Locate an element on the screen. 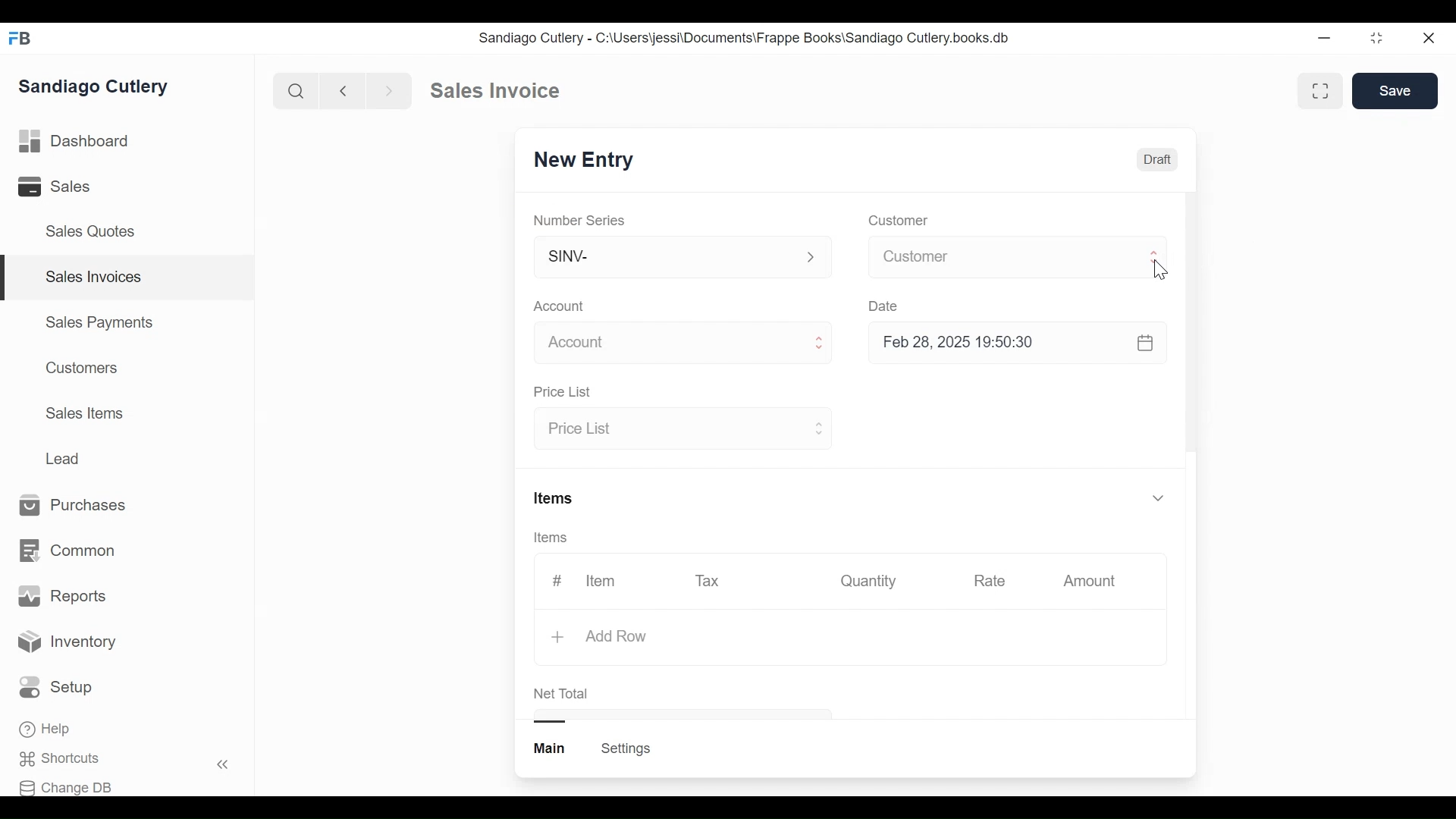 This screenshot has width=1456, height=819. Date is located at coordinates (886, 306).